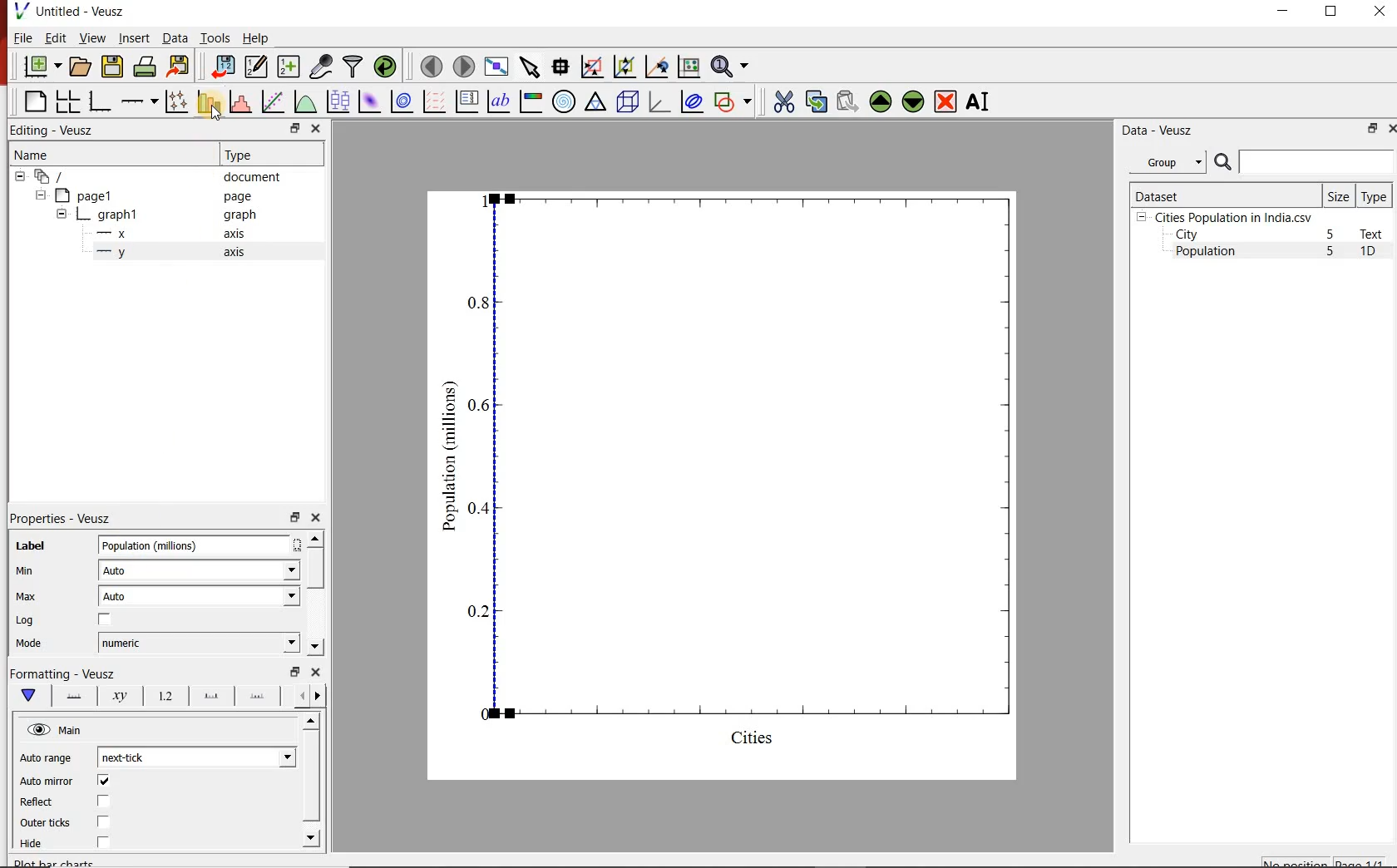  What do you see at coordinates (622, 68) in the screenshot?
I see `click to zoom out of graph axes` at bounding box center [622, 68].